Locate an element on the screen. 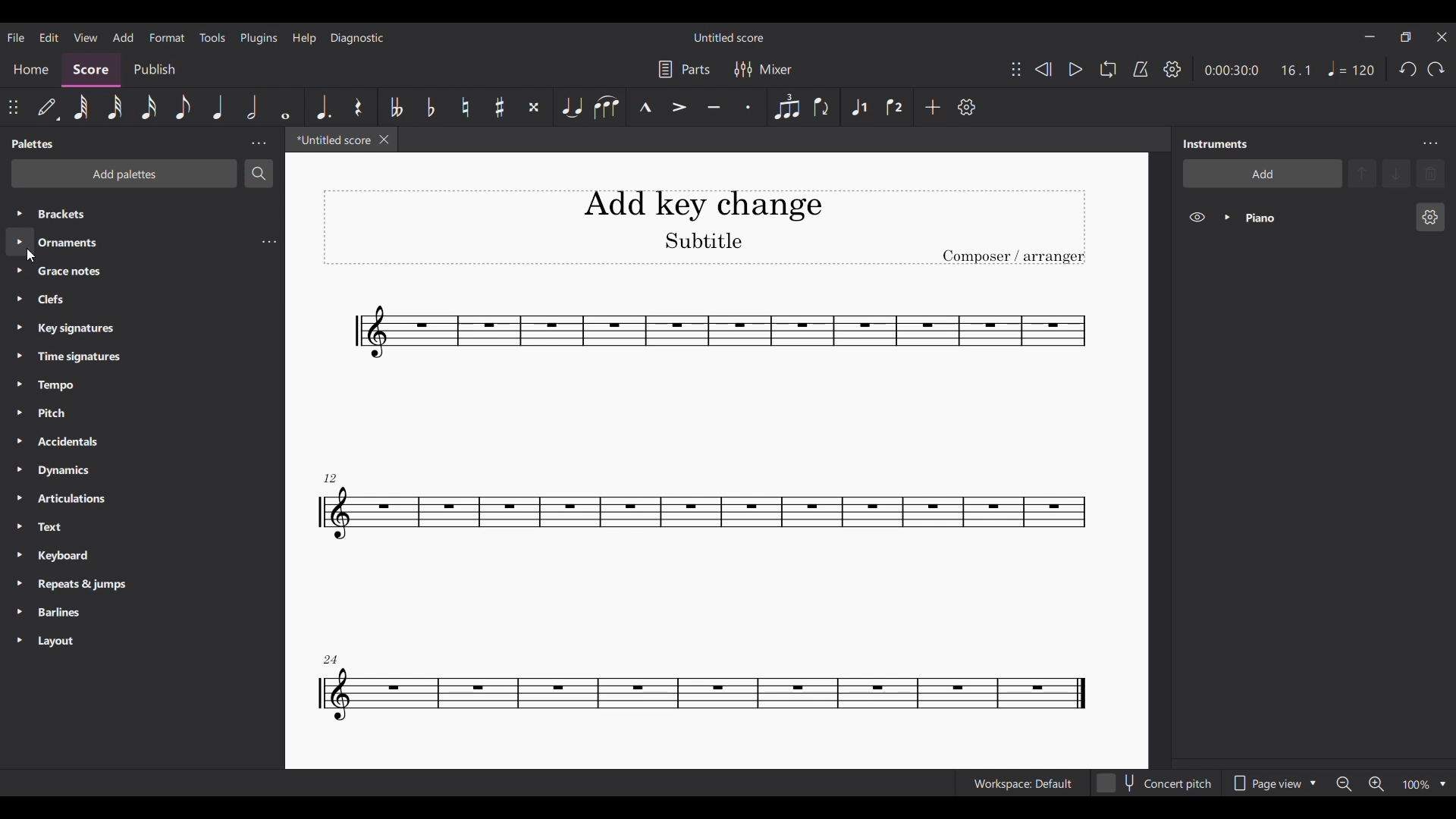  32nd note is located at coordinates (115, 107).